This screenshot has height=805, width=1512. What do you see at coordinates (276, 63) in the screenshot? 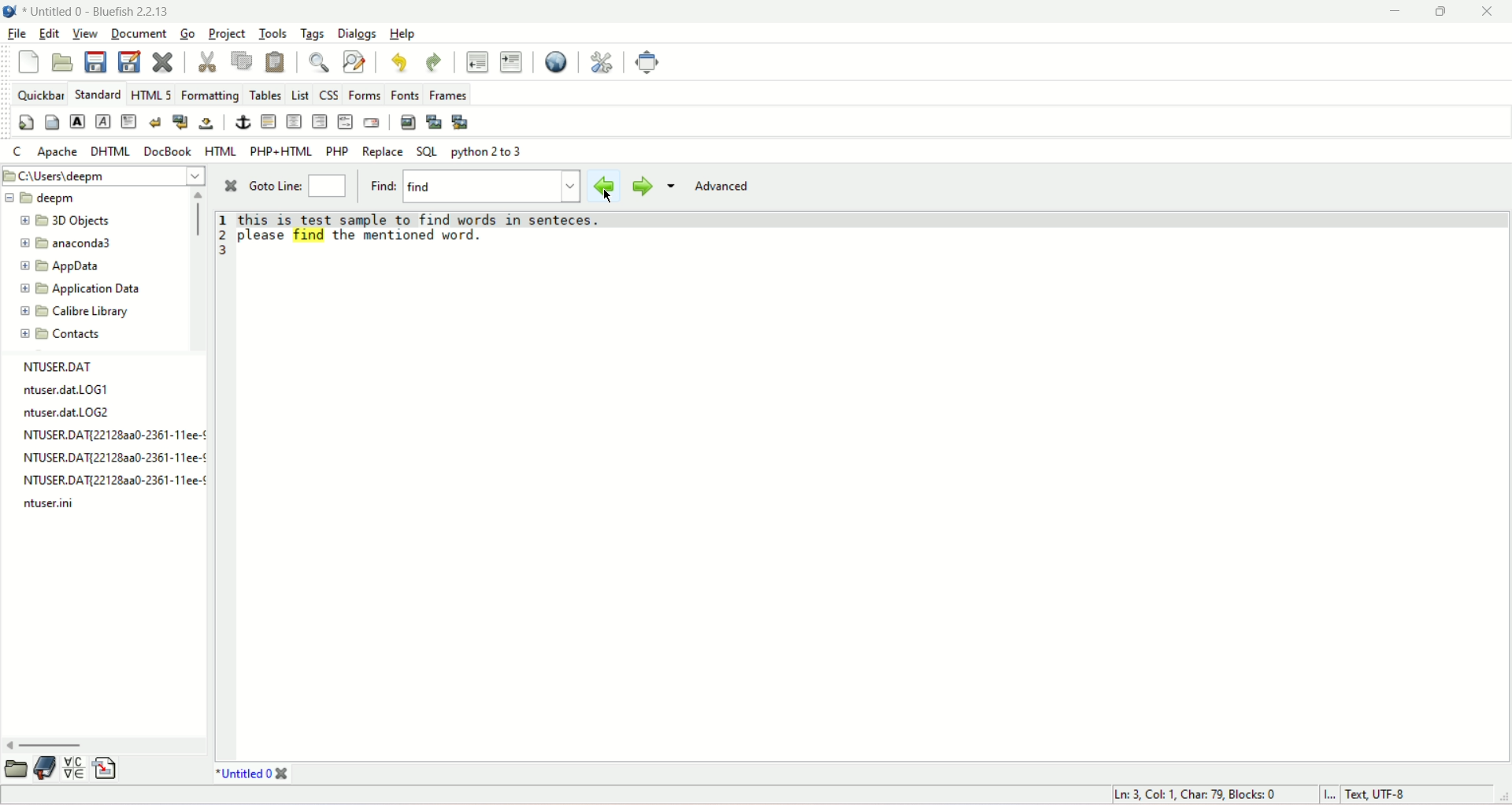
I see `paste` at bounding box center [276, 63].